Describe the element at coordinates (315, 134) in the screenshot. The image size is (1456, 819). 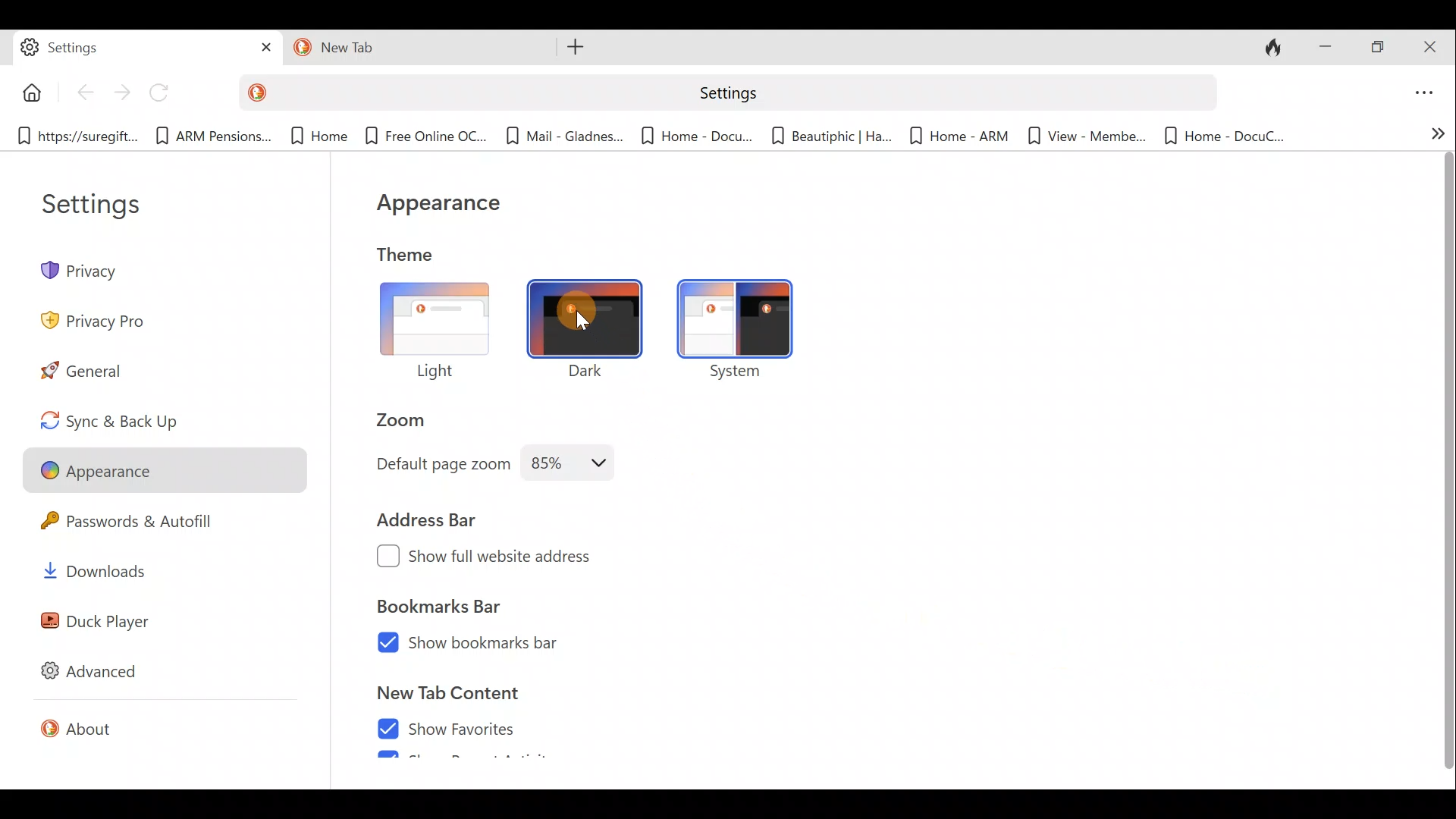
I see `Bookmark 3` at that location.